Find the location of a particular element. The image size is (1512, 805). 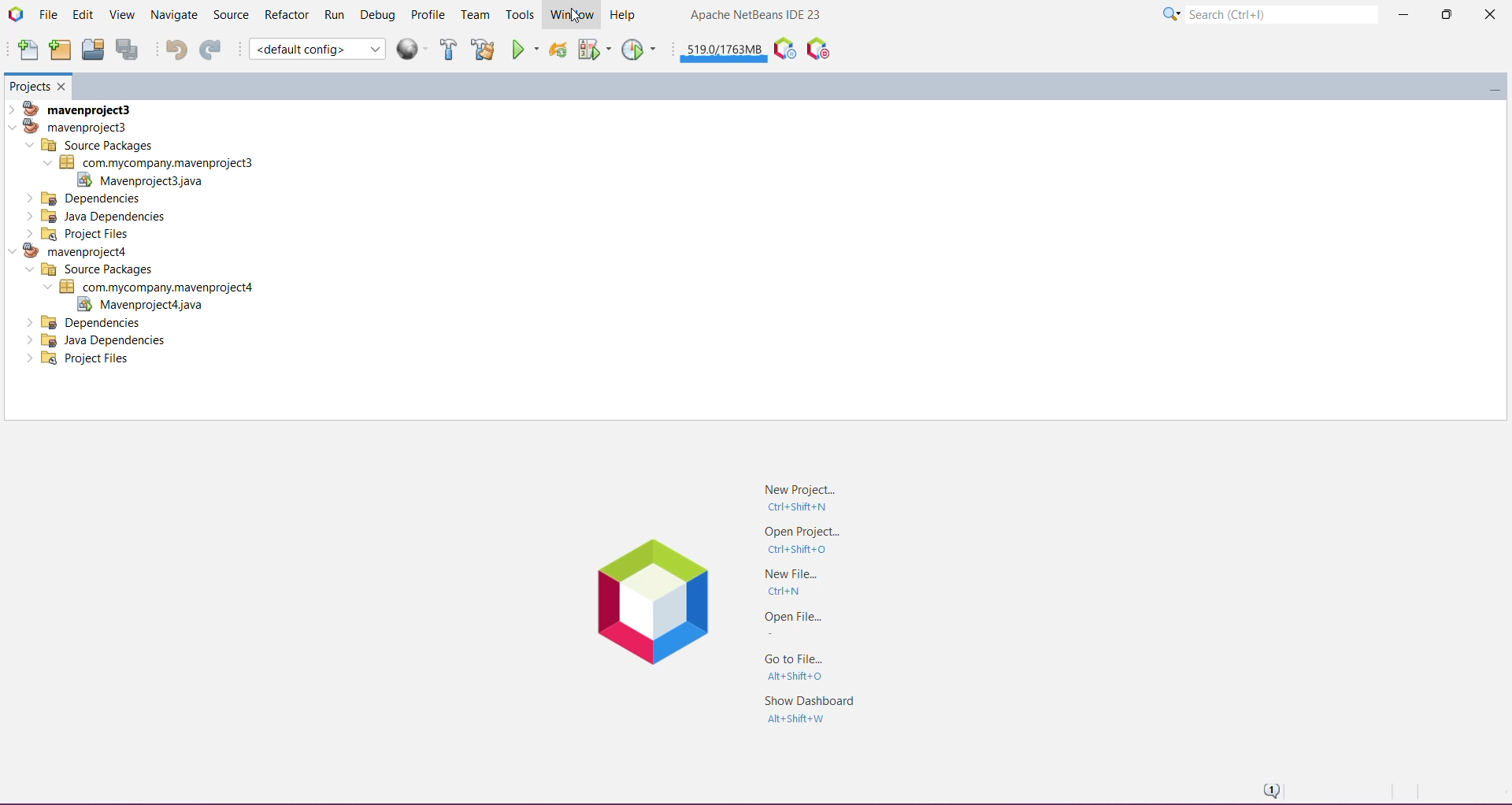

Mavenproject3.java is located at coordinates (149, 180).